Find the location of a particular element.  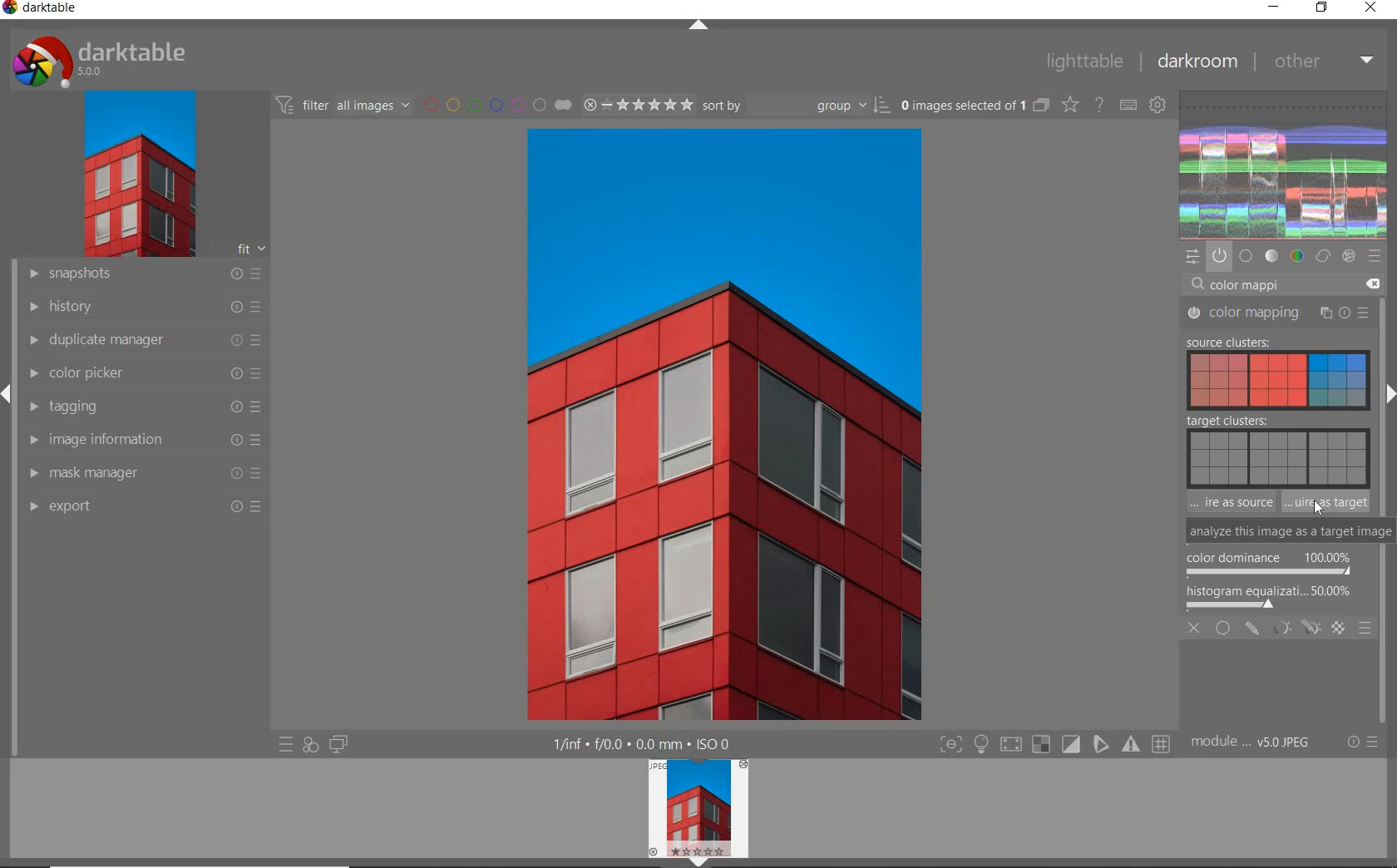

show only active module is located at coordinates (1220, 257).